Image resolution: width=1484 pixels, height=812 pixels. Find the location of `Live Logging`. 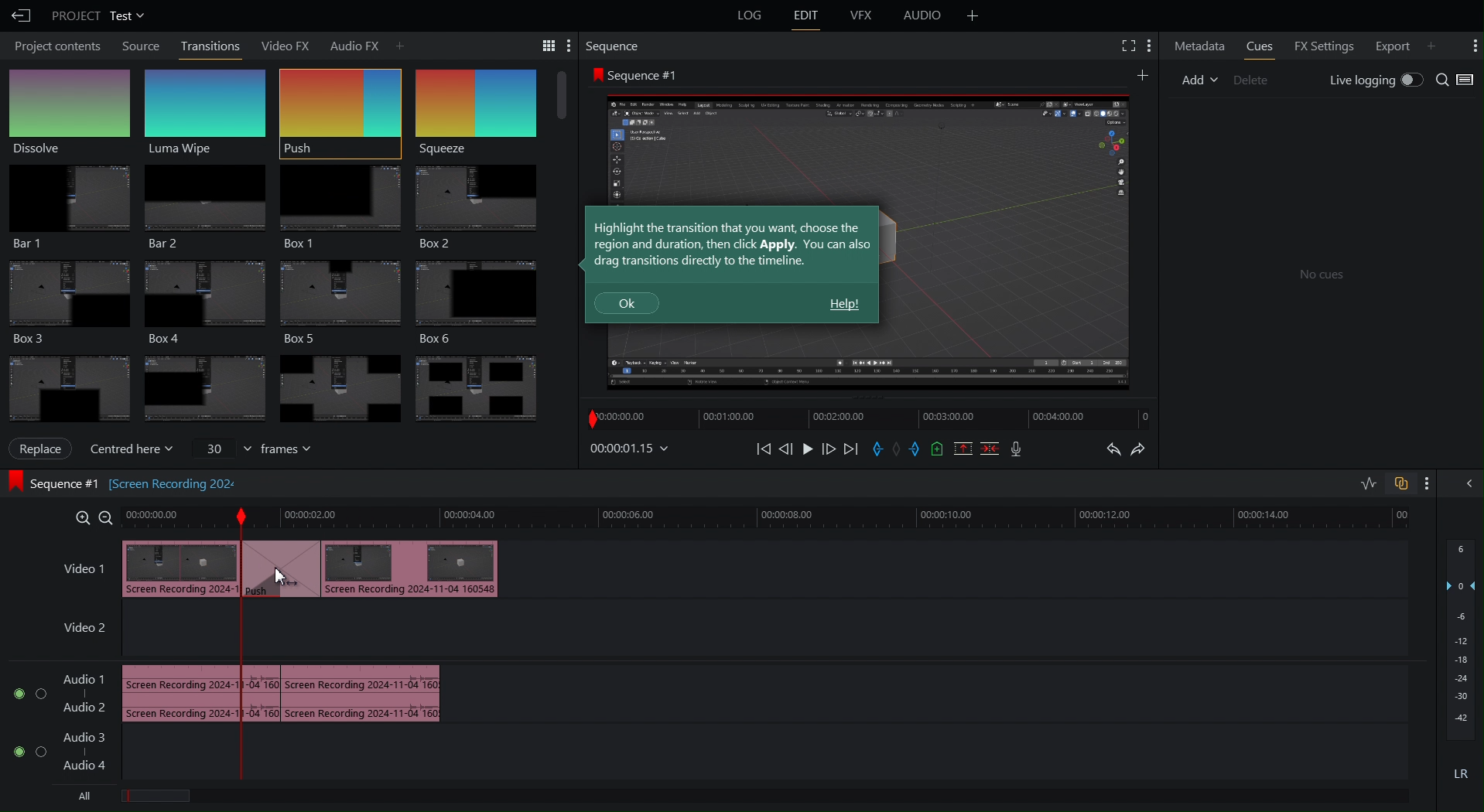

Live Logging is located at coordinates (1373, 80).